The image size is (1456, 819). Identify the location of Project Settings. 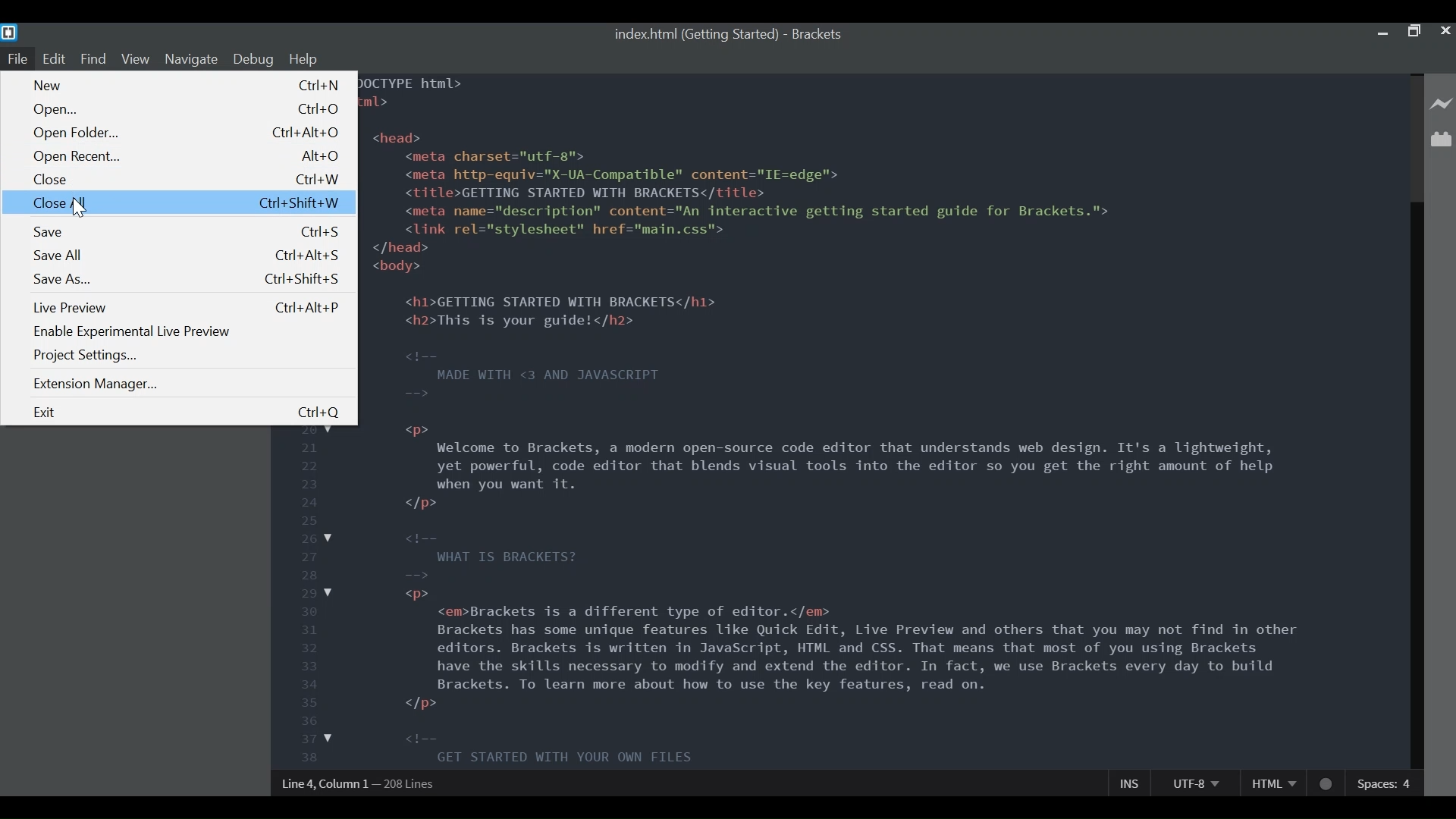
(86, 355).